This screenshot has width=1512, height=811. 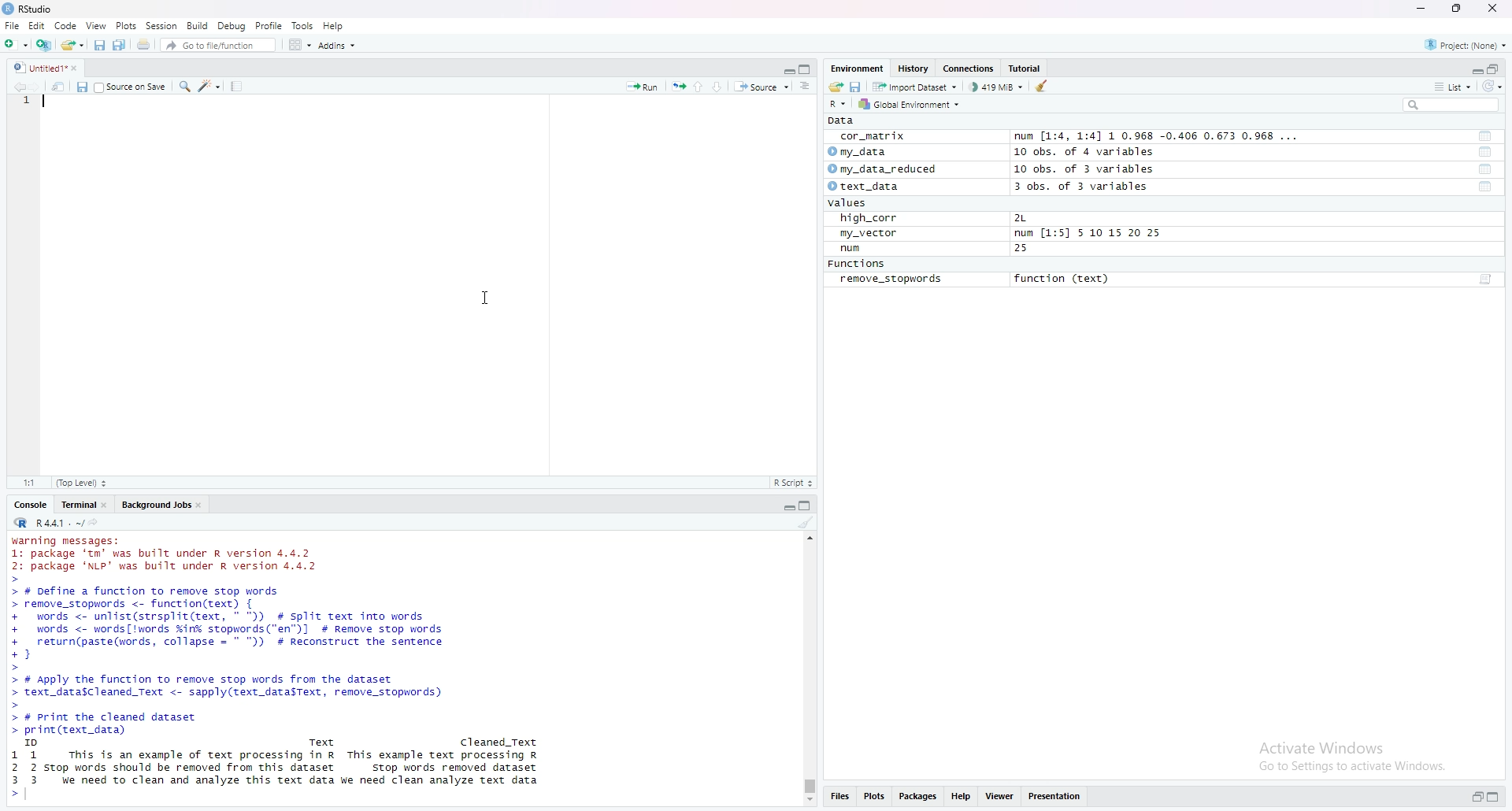 What do you see at coordinates (1054, 797) in the screenshot?
I see `Presentation` at bounding box center [1054, 797].